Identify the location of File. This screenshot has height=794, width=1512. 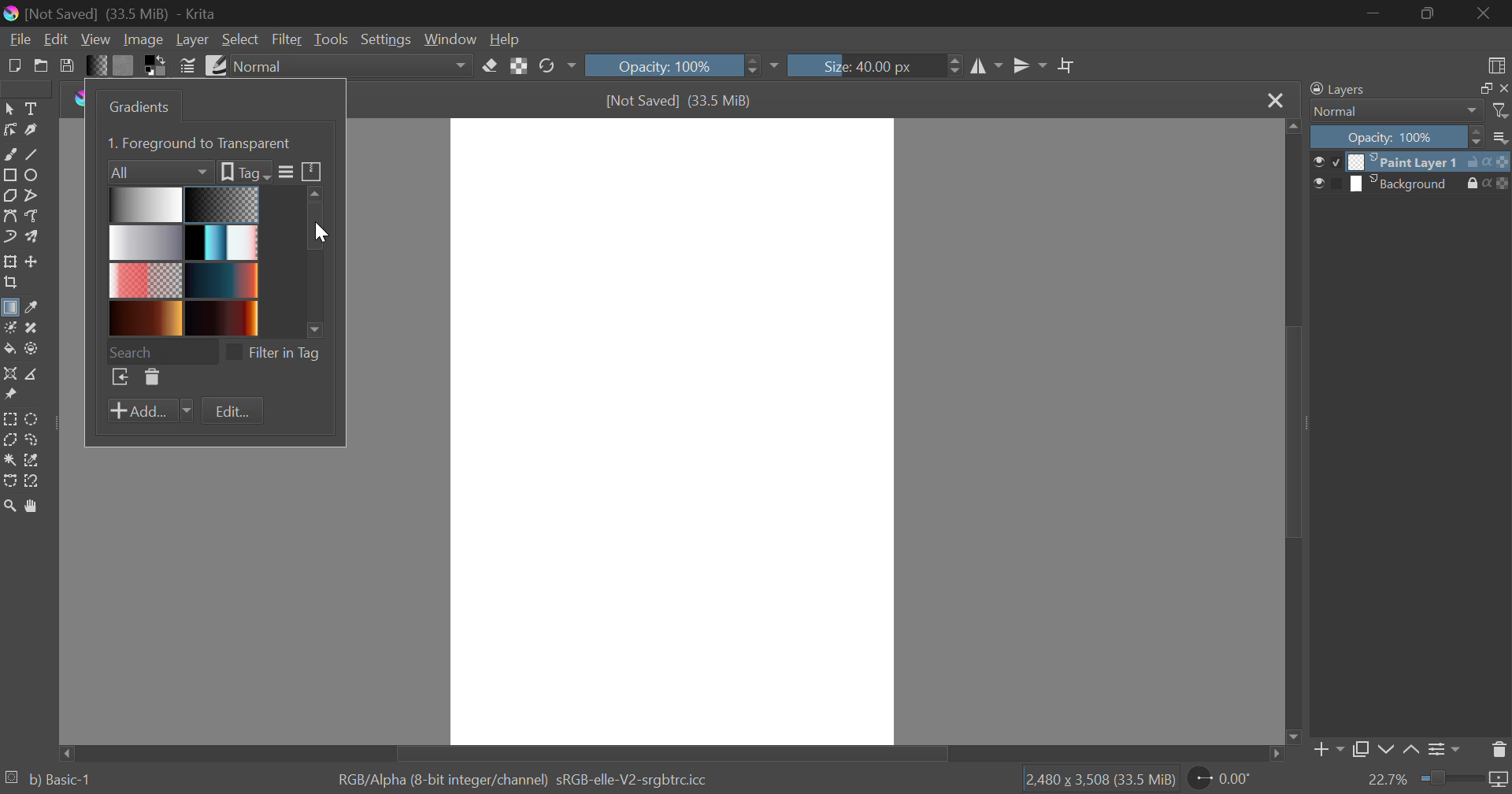
(18, 38).